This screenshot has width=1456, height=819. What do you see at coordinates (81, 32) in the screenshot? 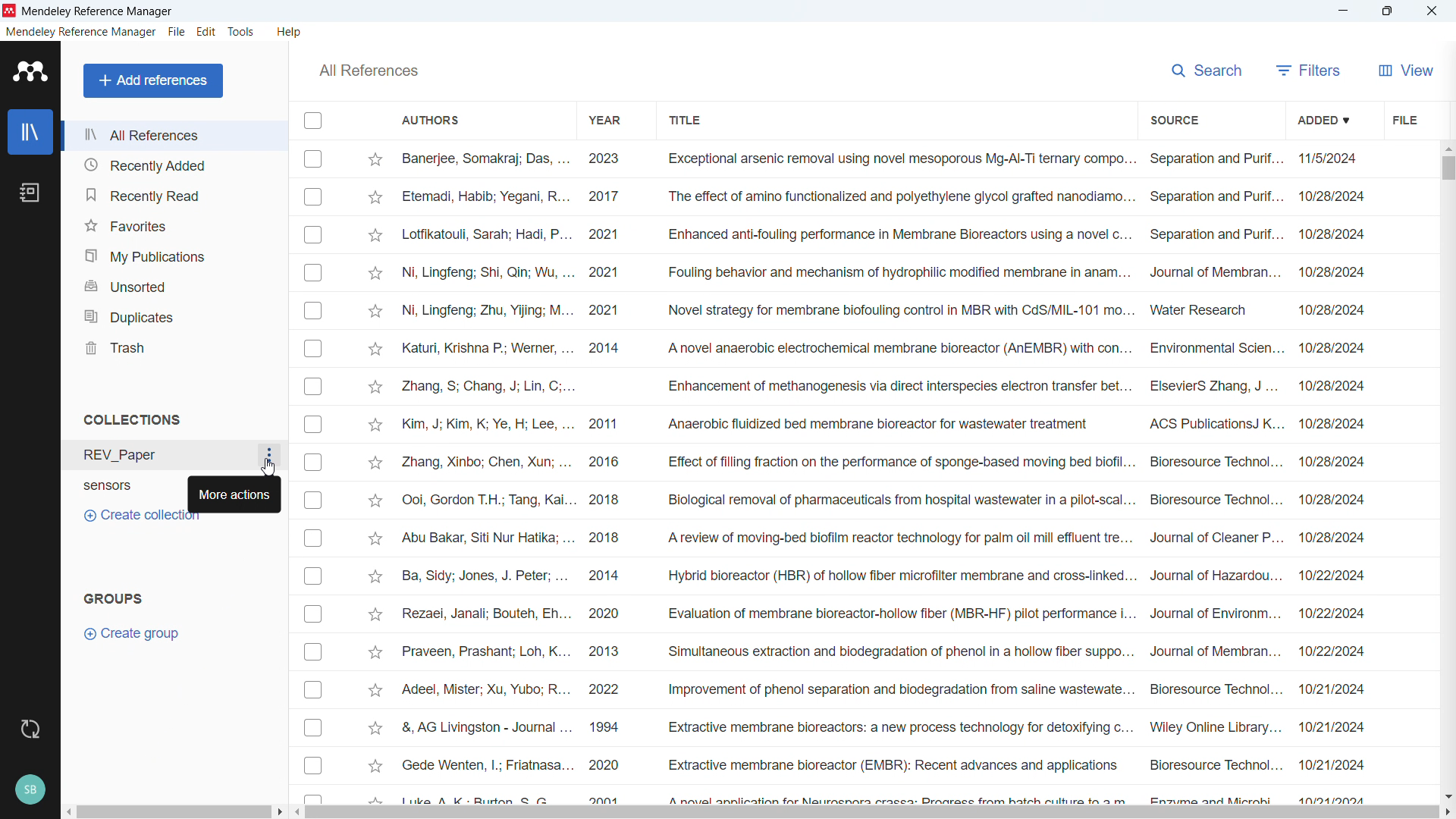
I see `Mendeley reference manager ` at bounding box center [81, 32].